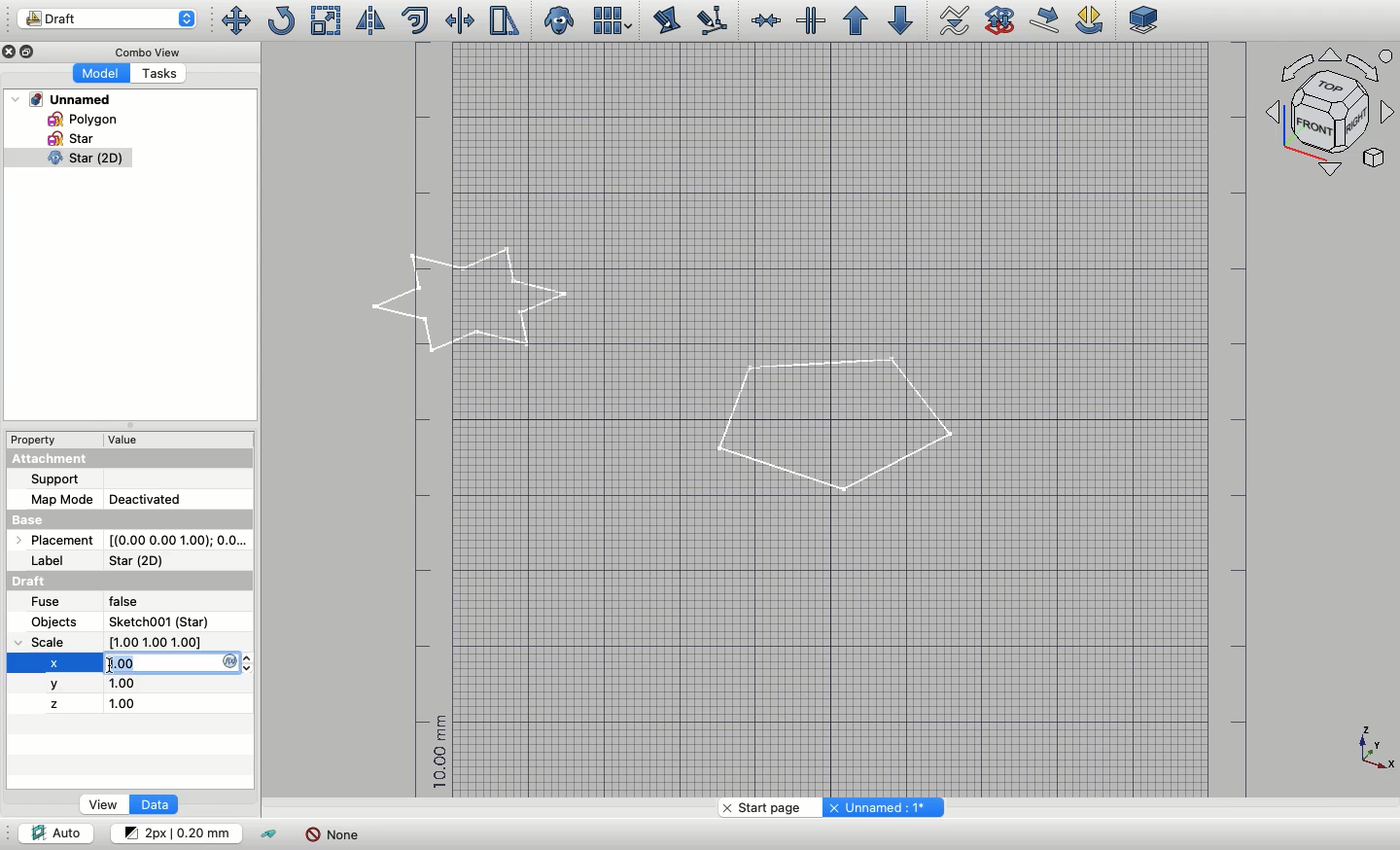 The height and width of the screenshot is (850, 1400). I want to click on Property, so click(34, 440).